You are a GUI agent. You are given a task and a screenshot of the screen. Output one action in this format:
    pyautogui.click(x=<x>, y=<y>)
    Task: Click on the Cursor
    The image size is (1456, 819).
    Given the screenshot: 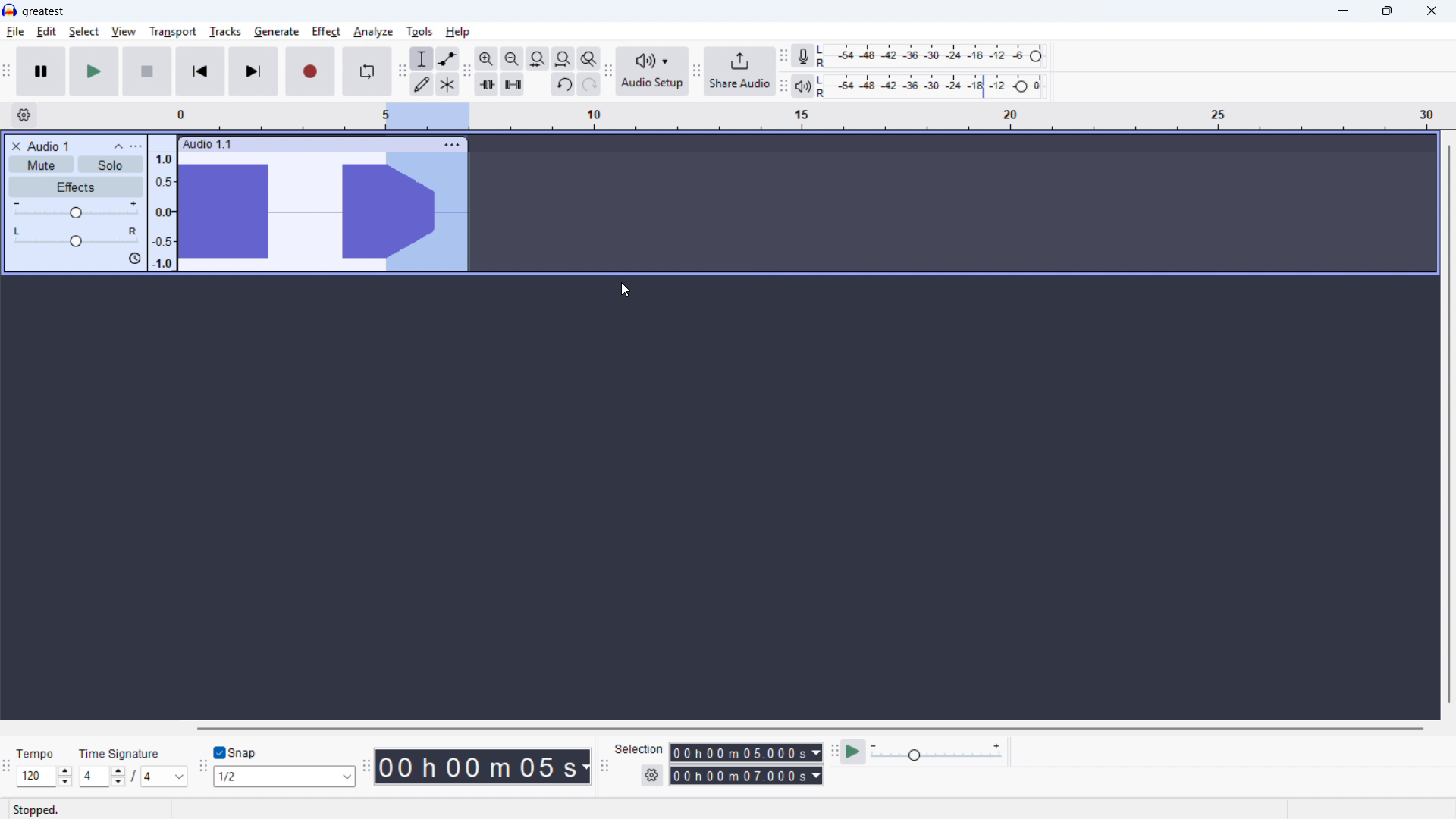 What is the action you would take?
    pyautogui.click(x=626, y=289)
    